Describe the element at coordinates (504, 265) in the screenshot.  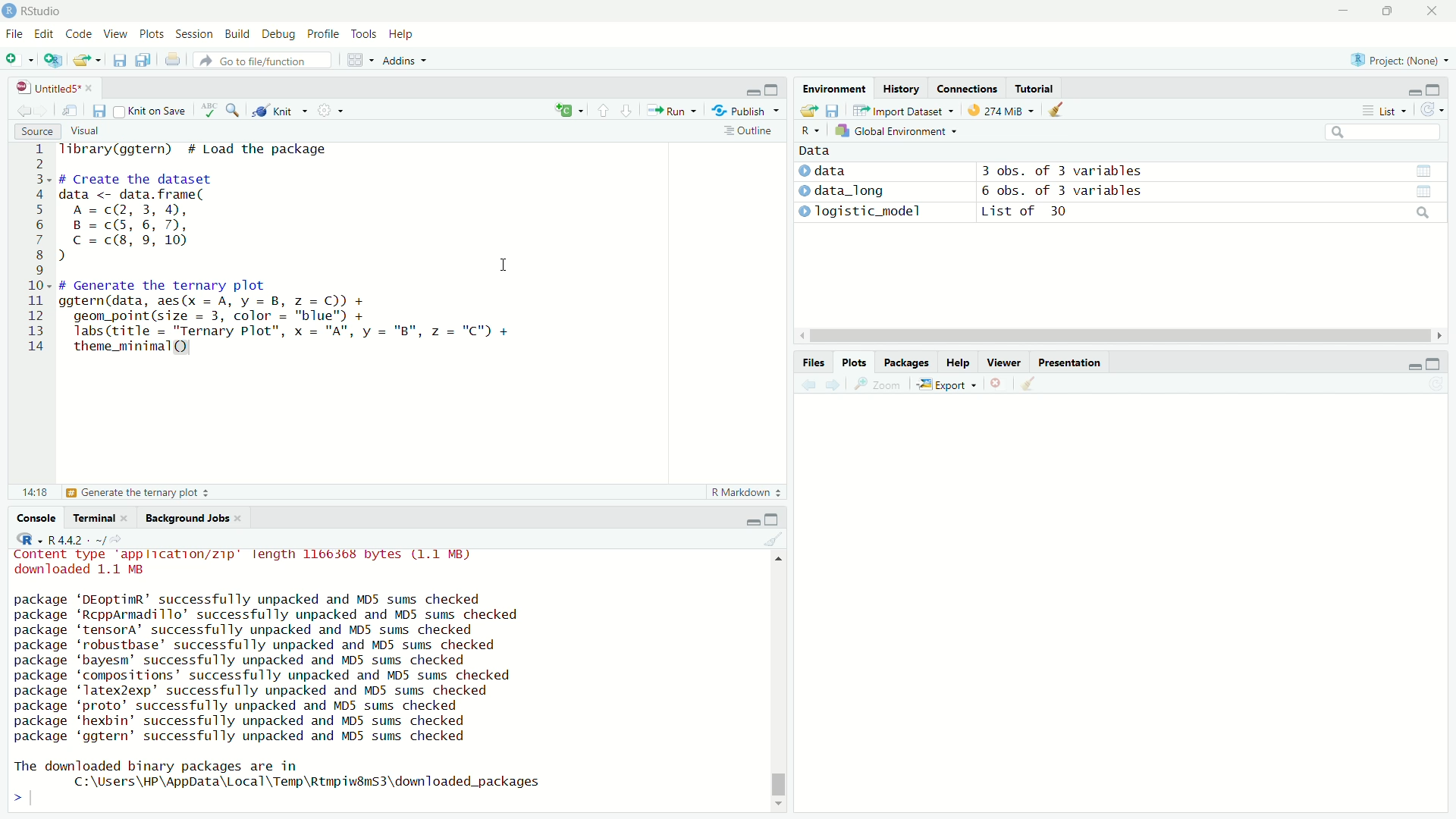
I see `cursor` at that location.